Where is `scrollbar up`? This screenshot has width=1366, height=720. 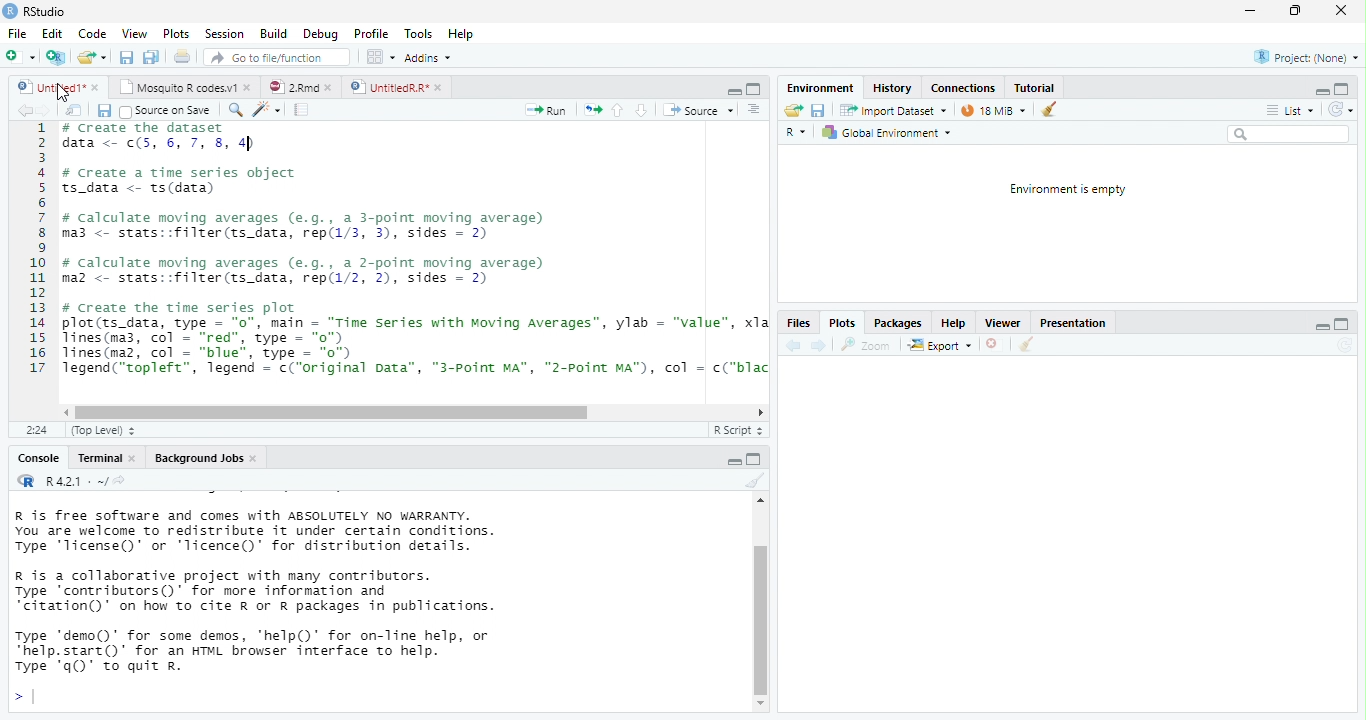
scrollbar up is located at coordinates (758, 503).